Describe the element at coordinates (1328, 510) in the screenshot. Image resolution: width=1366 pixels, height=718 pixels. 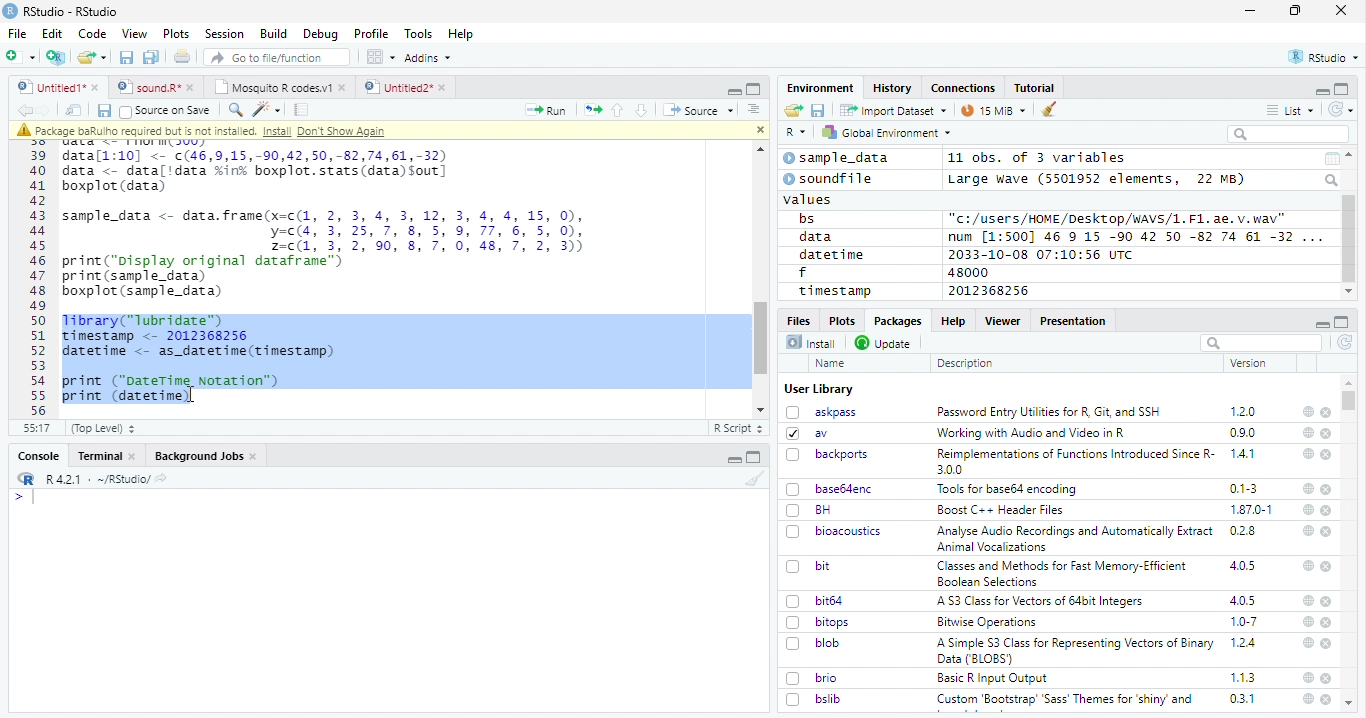
I see `close` at that location.